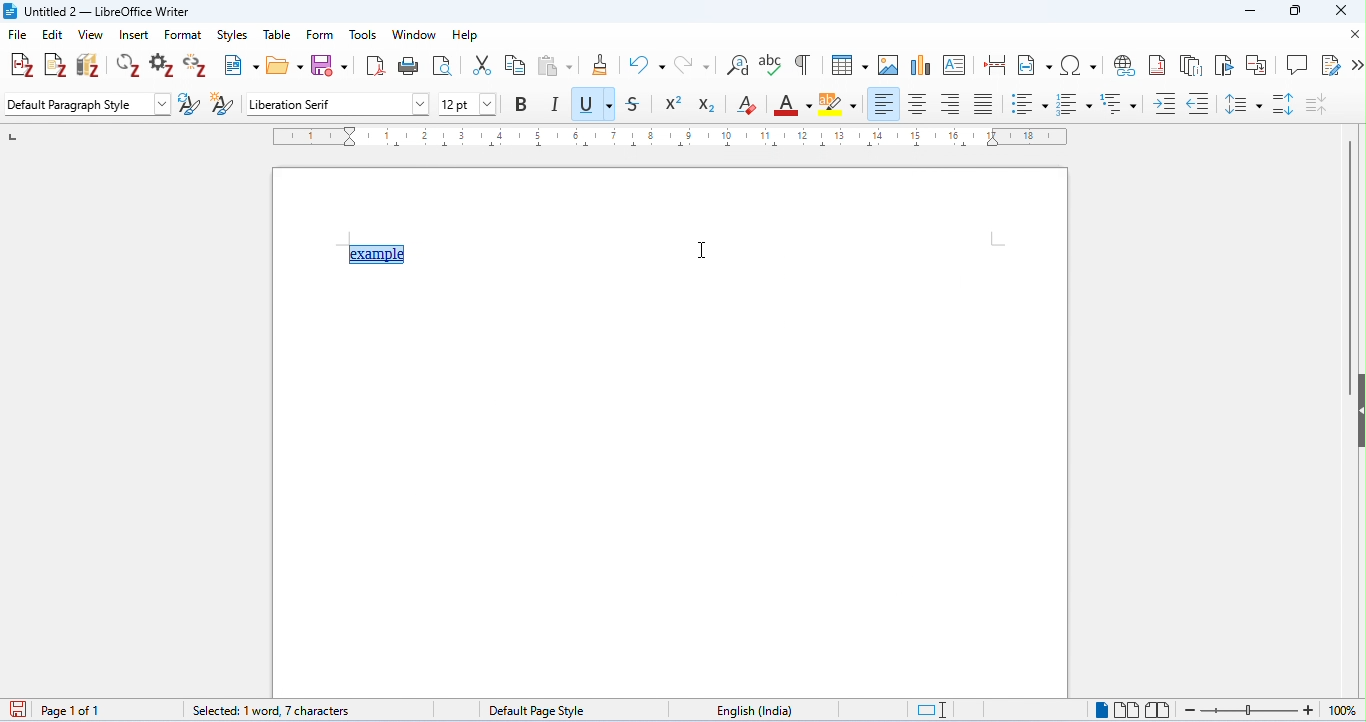 Image resolution: width=1366 pixels, height=722 pixels. What do you see at coordinates (1332, 64) in the screenshot?
I see `show track changes function` at bounding box center [1332, 64].